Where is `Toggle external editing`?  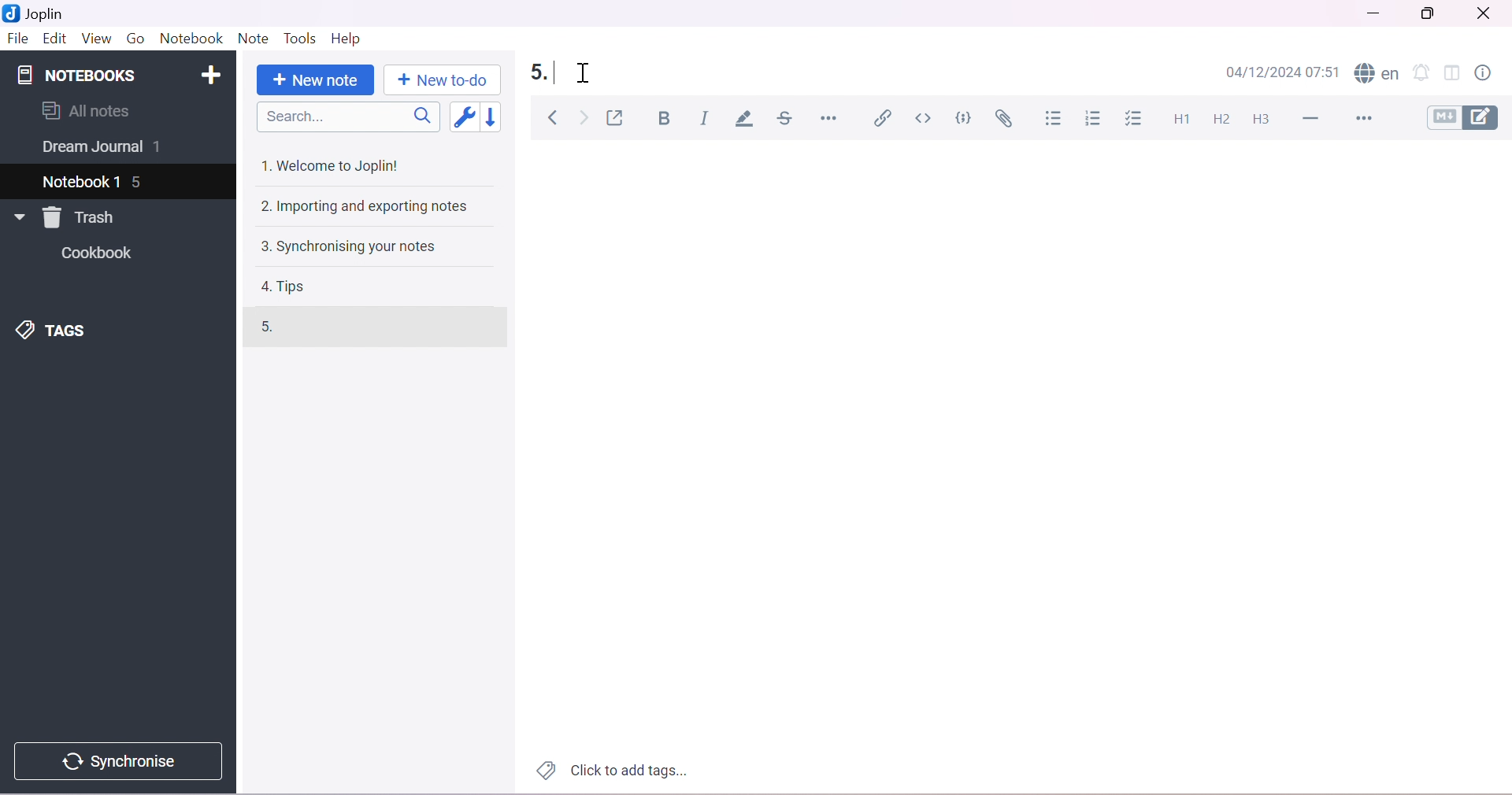
Toggle external editing is located at coordinates (618, 118).